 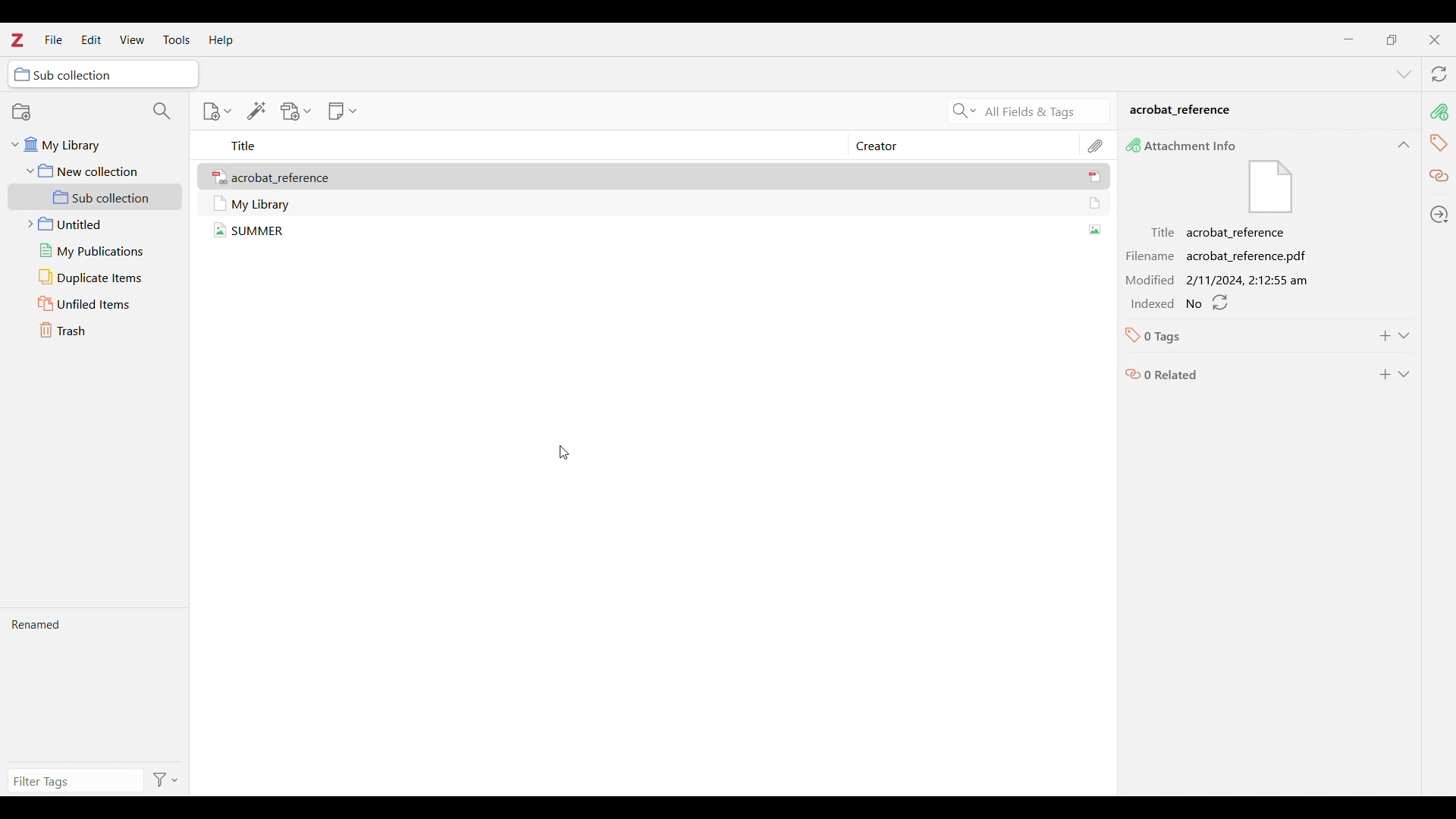 I want to click on Add, so click(x=1385, y=335).